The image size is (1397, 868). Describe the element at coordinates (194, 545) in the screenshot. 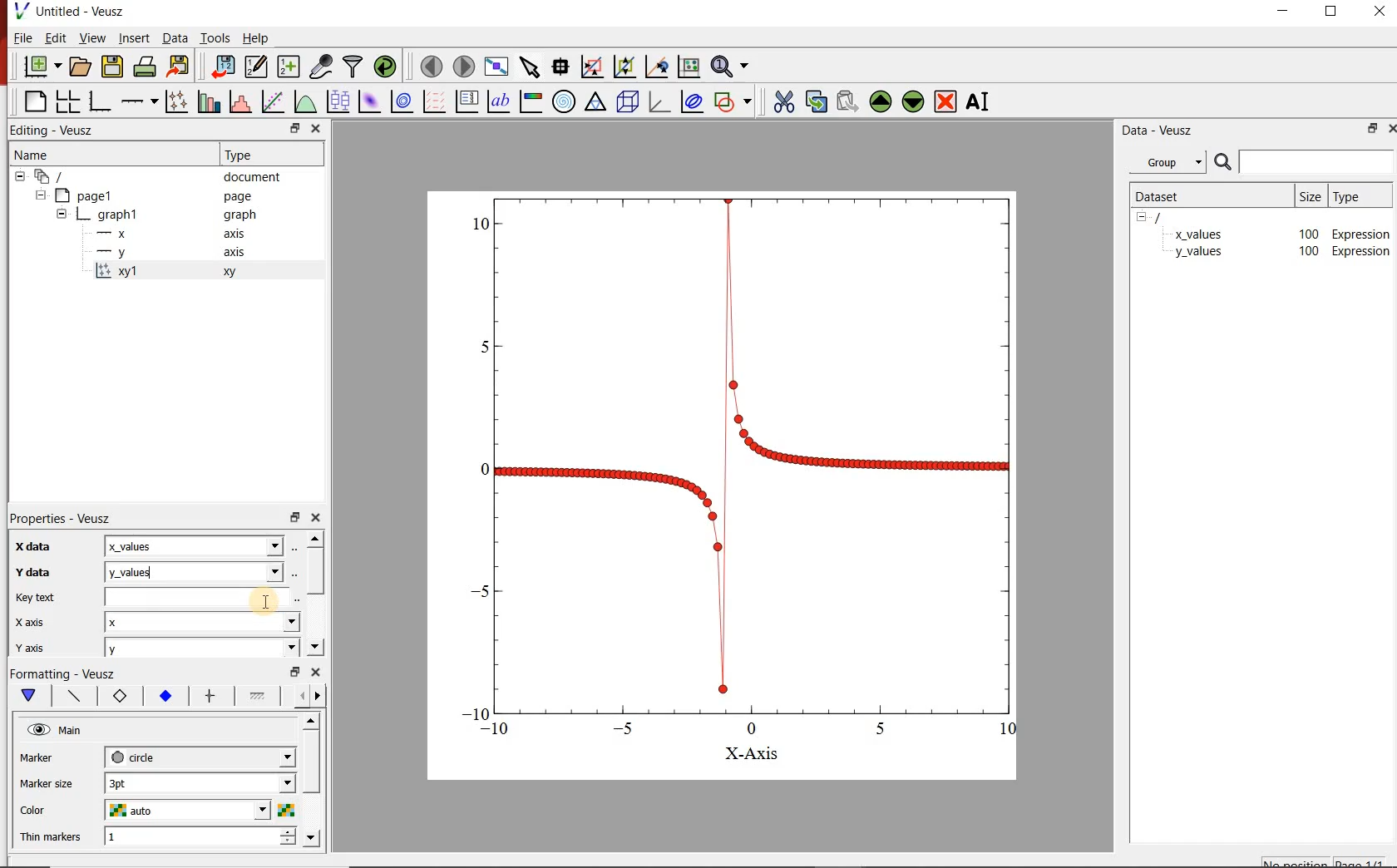

I see `x_values` at that location.